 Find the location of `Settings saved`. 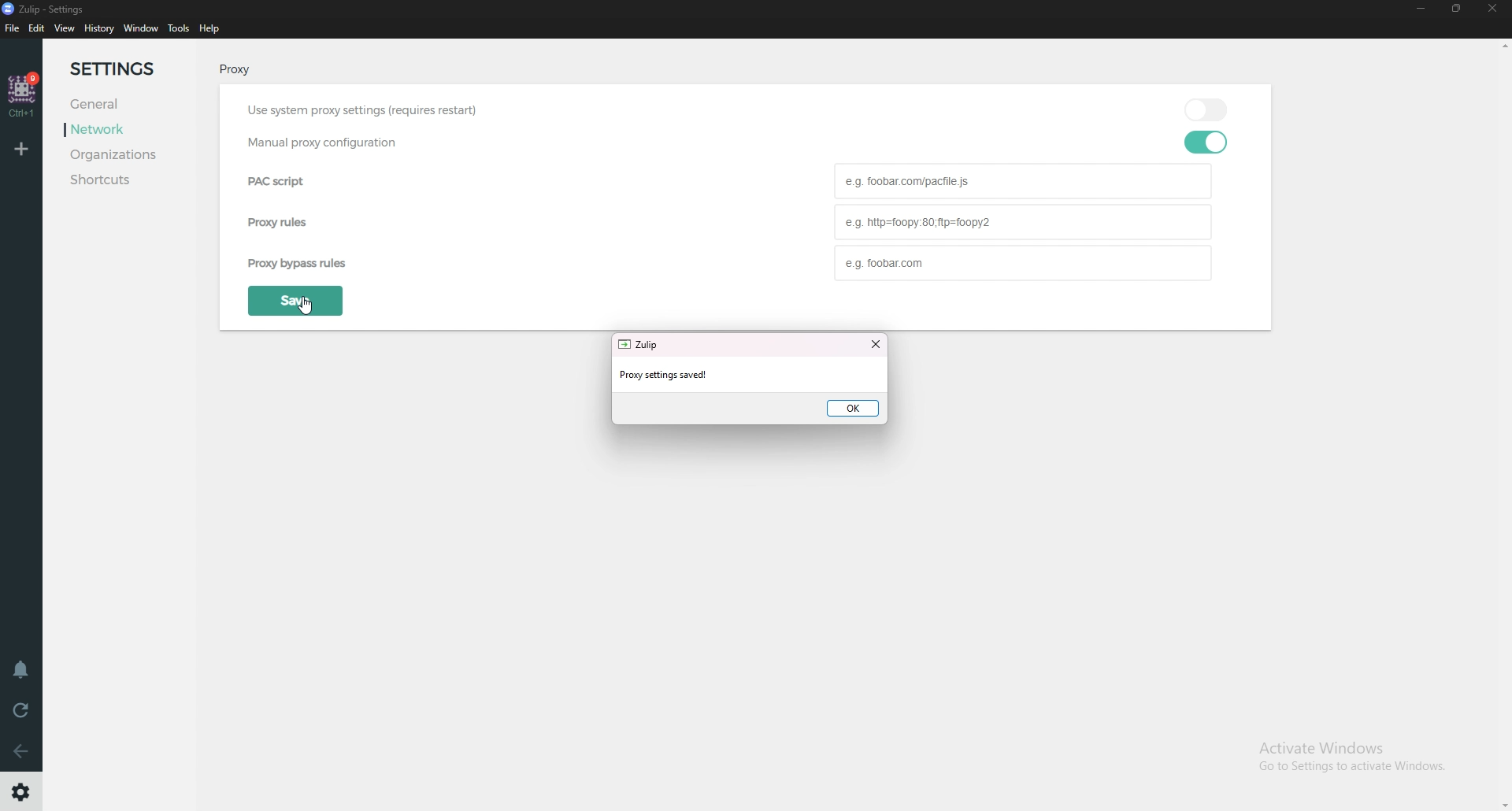

Settings saved is located at coordinates (704, 374).